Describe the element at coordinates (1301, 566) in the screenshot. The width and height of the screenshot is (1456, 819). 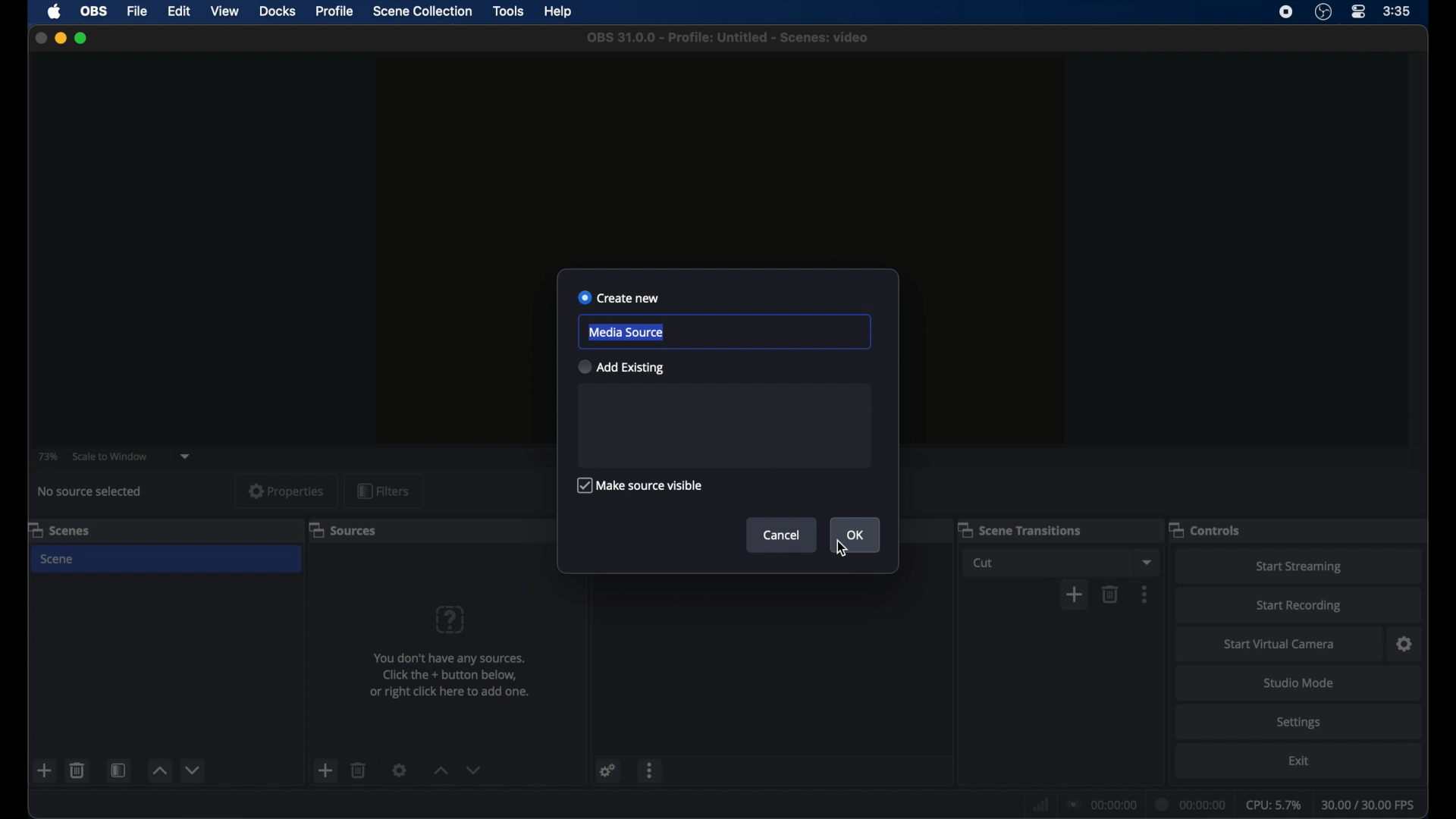
I see `start streaming` at that location.